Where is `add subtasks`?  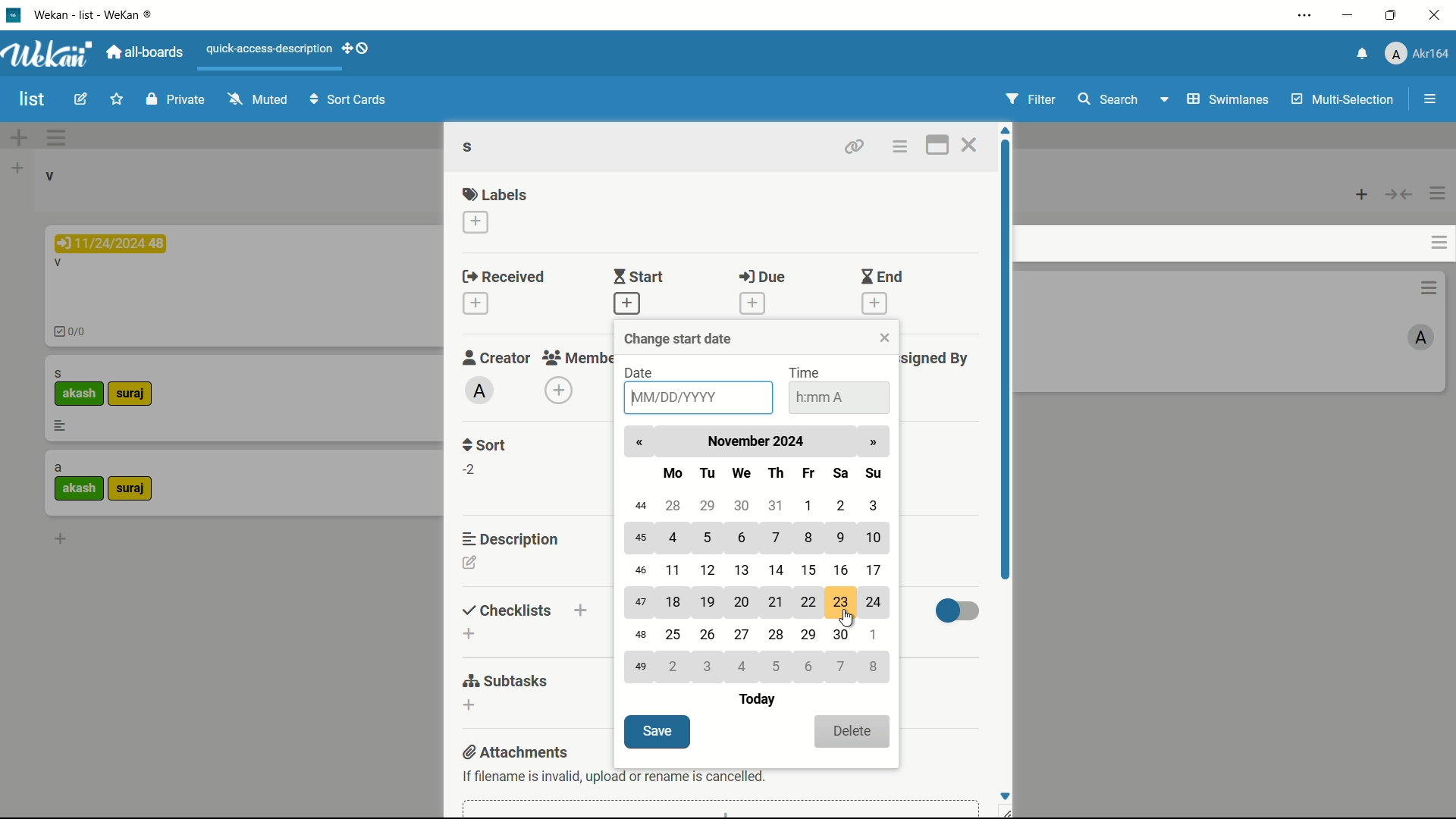 add subtasks is located at coordinates (468, 704).